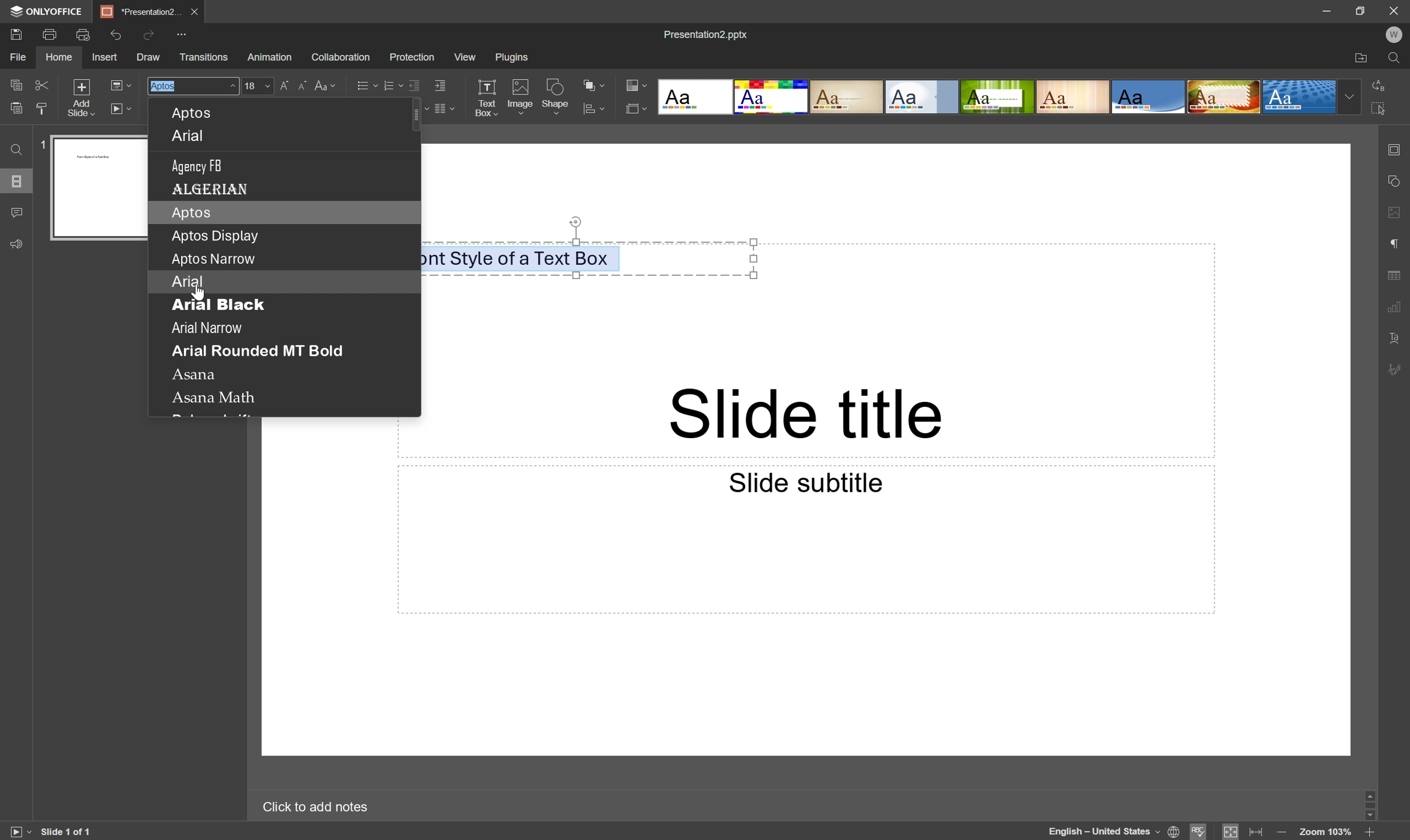  I want to click on Collaboration, so click(342, 54).